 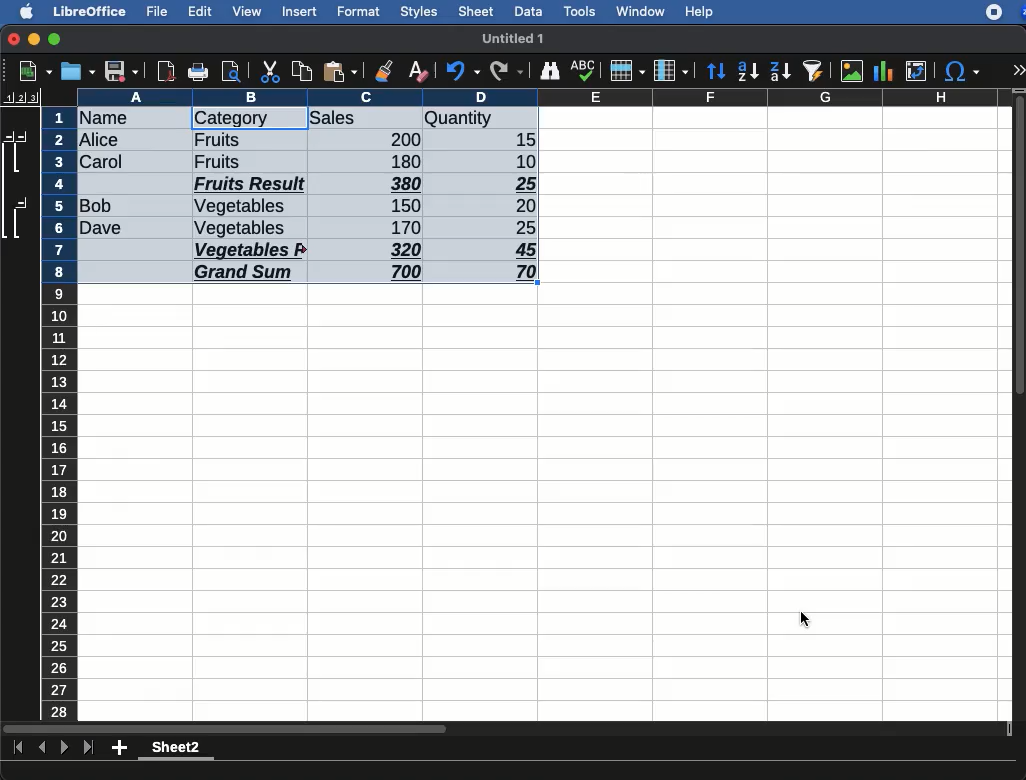 What do you see at coordinates (35, 39) in the screenshot?
I see `minimize` at bounding box center [35, 39].